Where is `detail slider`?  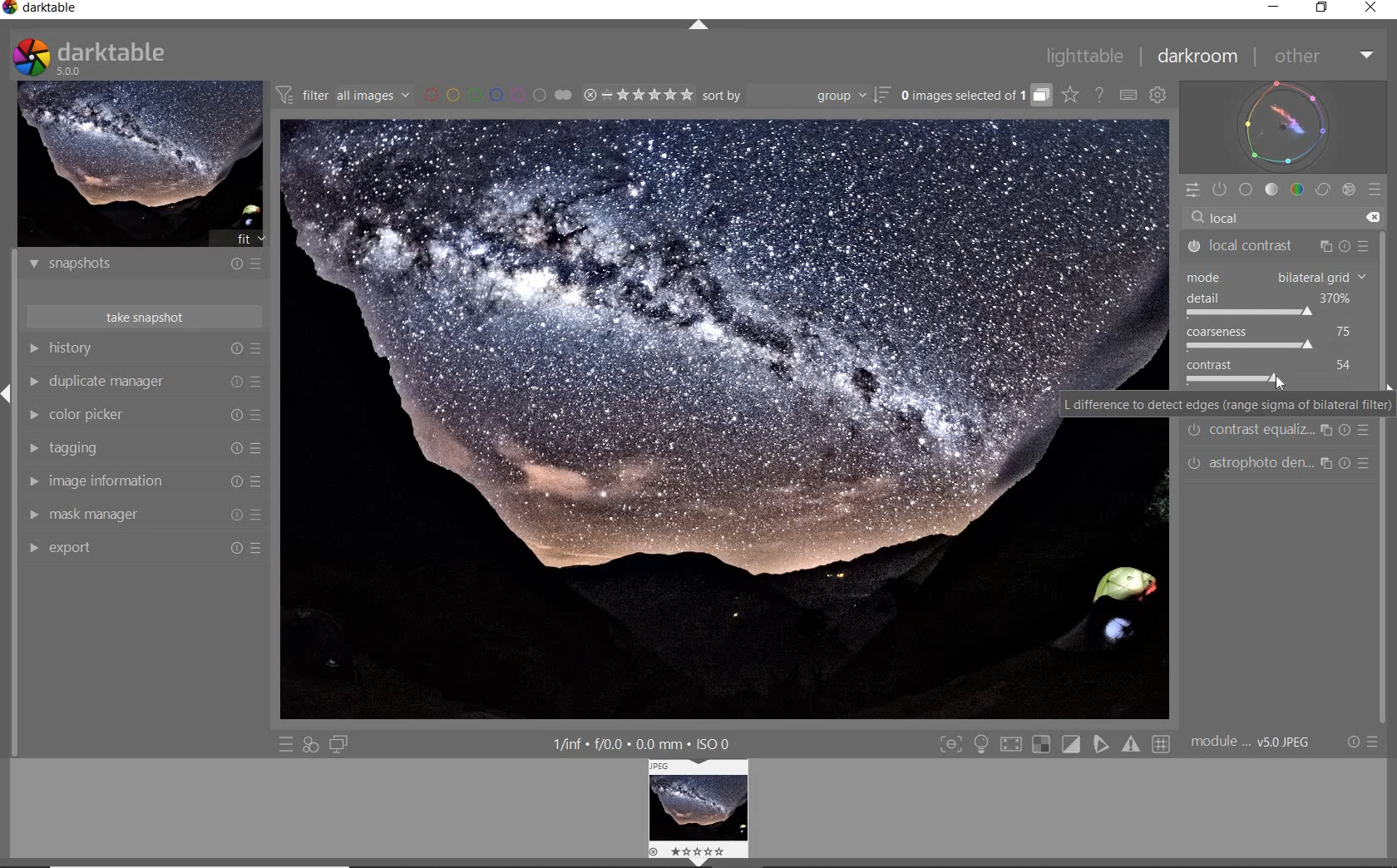
detail slider is located at coordinates (1250, 313).